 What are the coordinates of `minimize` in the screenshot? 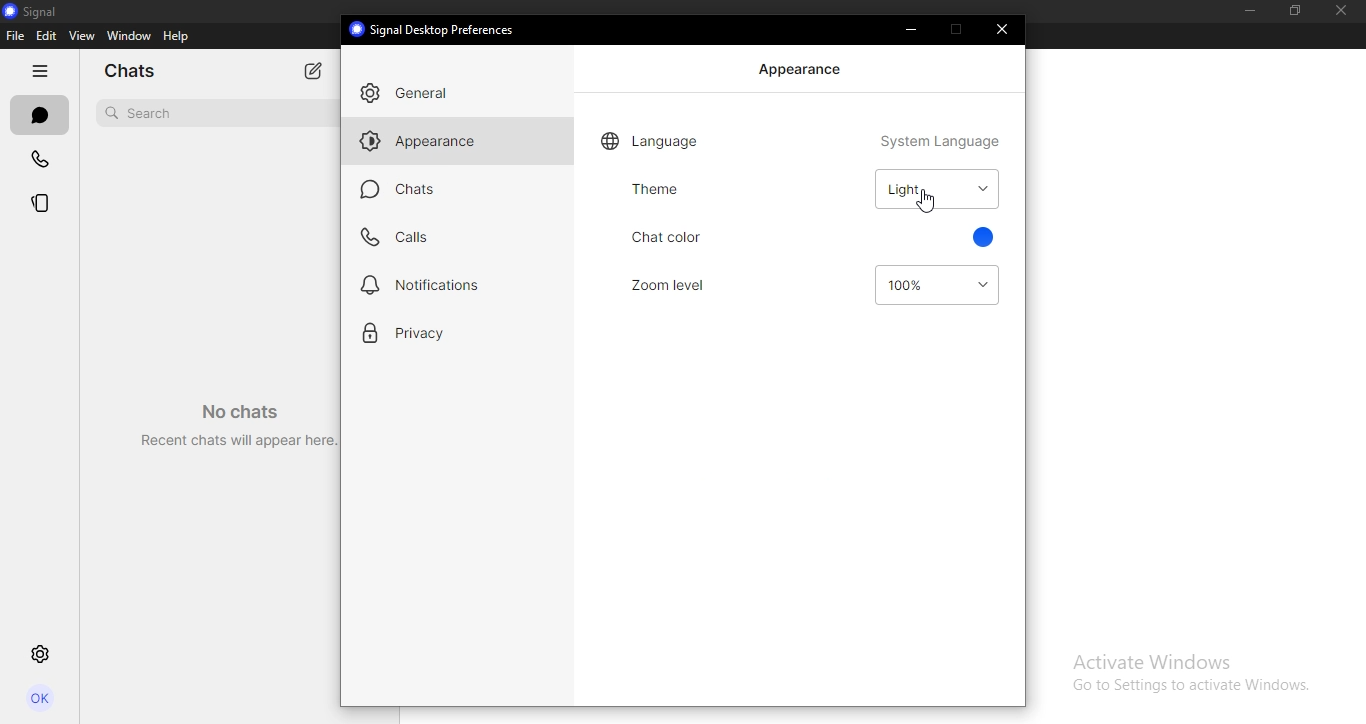 It's located at (1245, 12).